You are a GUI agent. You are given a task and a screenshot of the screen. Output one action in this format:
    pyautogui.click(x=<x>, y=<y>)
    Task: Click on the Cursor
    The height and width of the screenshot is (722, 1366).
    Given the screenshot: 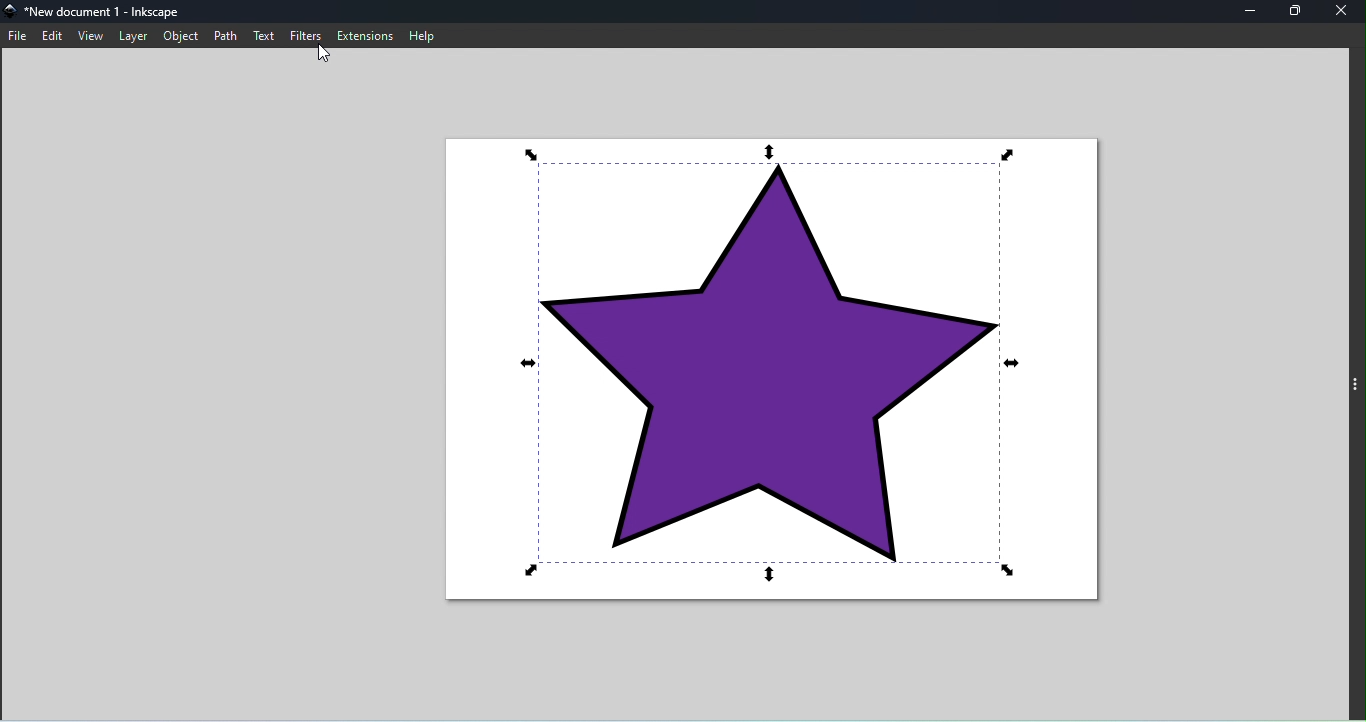 What is the action you would take?
    pyautogui.click(x=326, y=57)
    